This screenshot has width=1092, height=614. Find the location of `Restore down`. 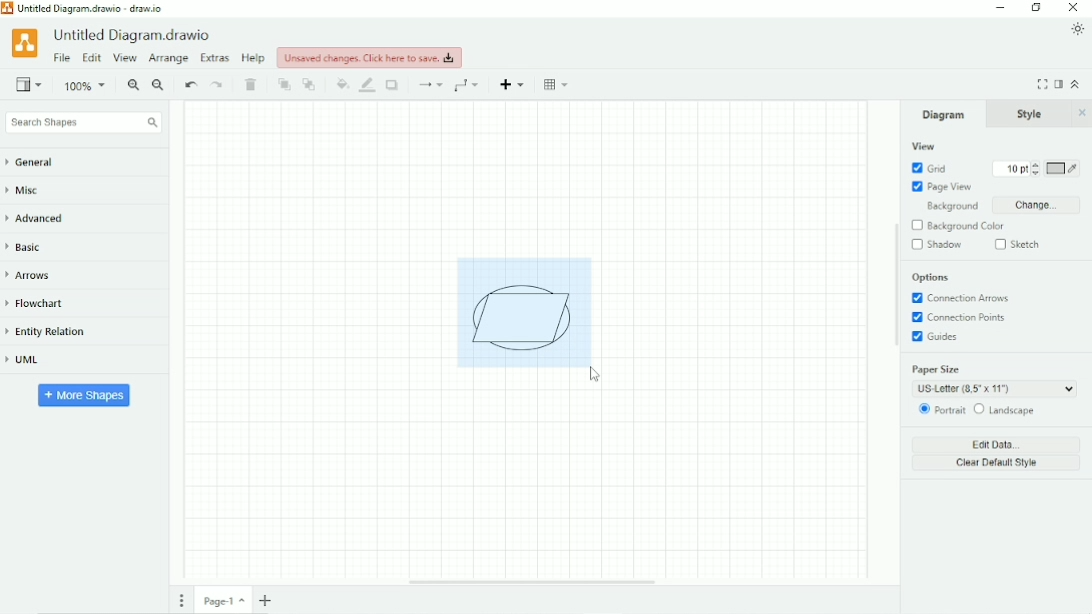

Restore down is located at coordinates (1036, 8).